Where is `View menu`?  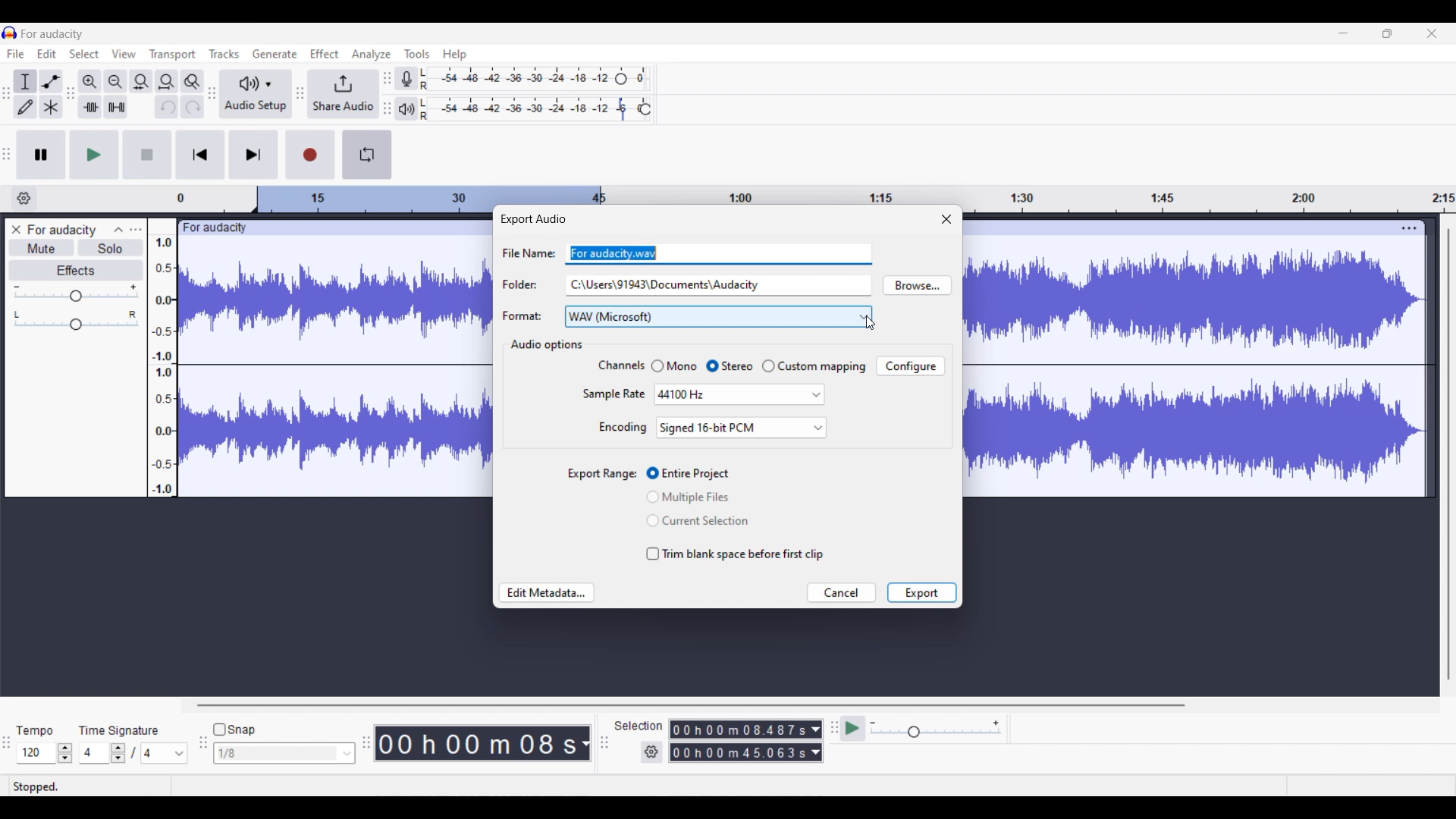 View menu is located at coordinates (124, 54).